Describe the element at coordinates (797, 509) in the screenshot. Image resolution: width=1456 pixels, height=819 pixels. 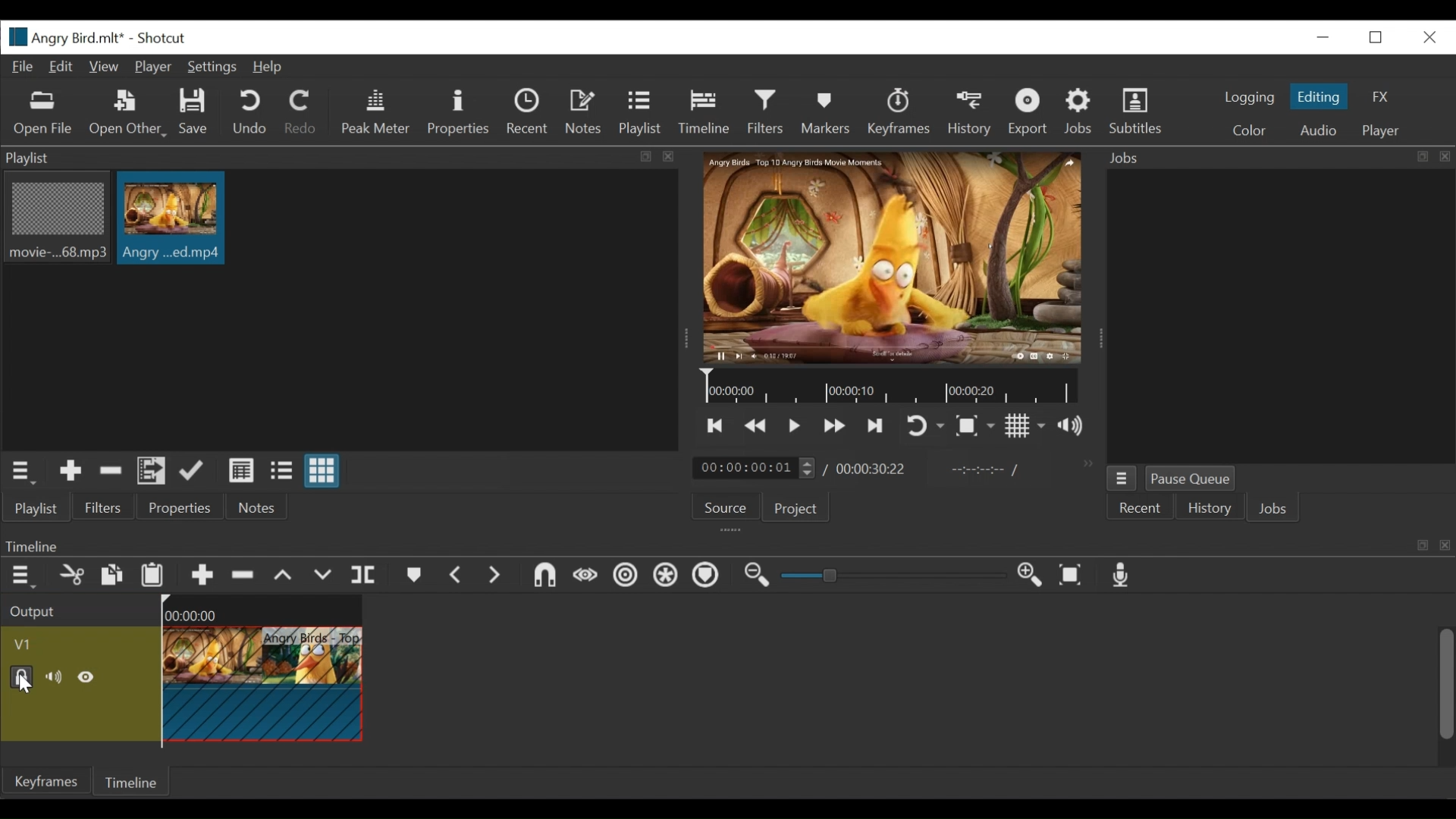
I see `Project` at that location.